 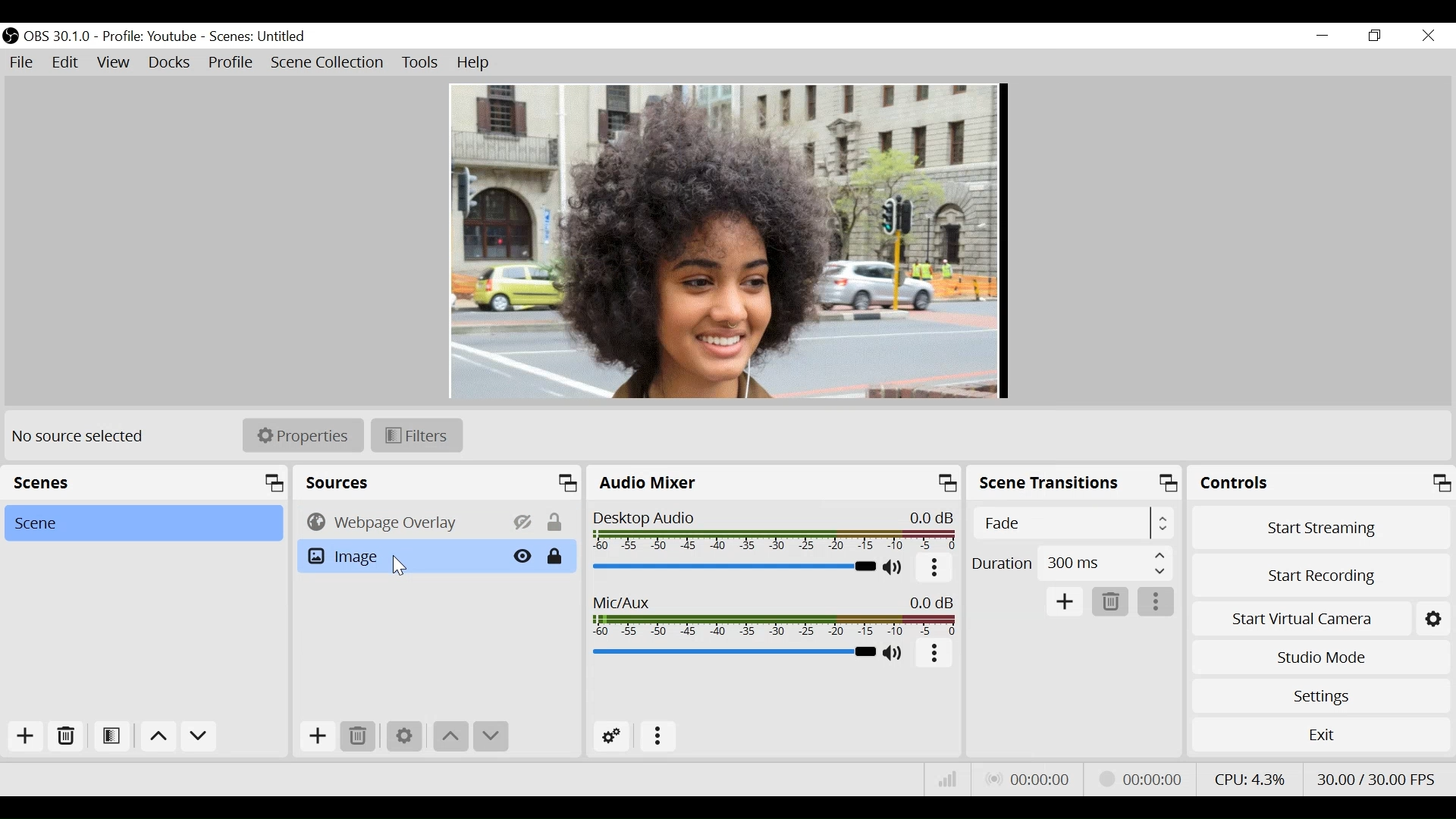 I want to click on Scene Transitions Panel, so click(x=1075, y=485).